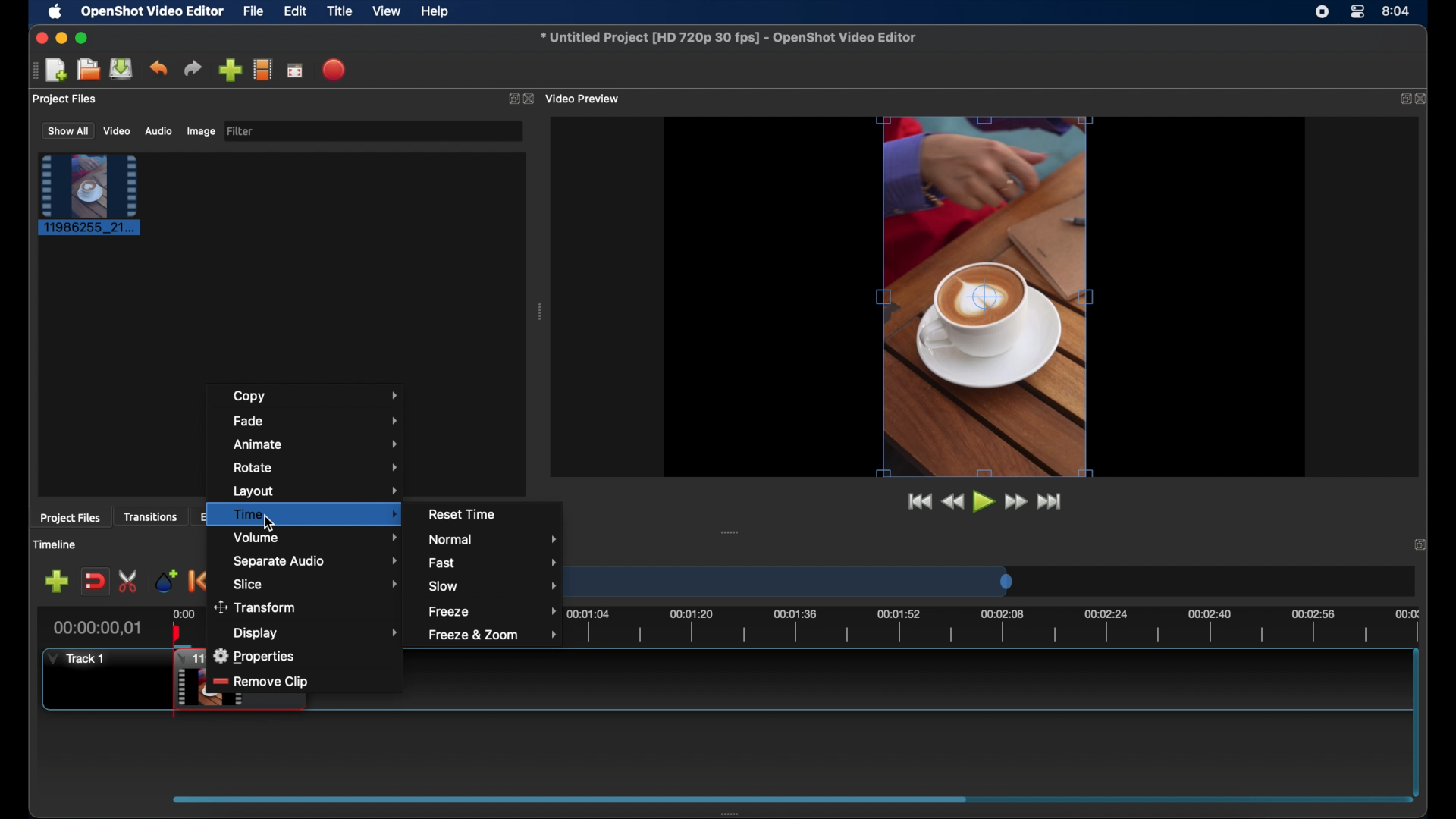  What do you see at coordinates (184, 612) in the screenshot?
I see `0.00` at bounding box center [184, 612].